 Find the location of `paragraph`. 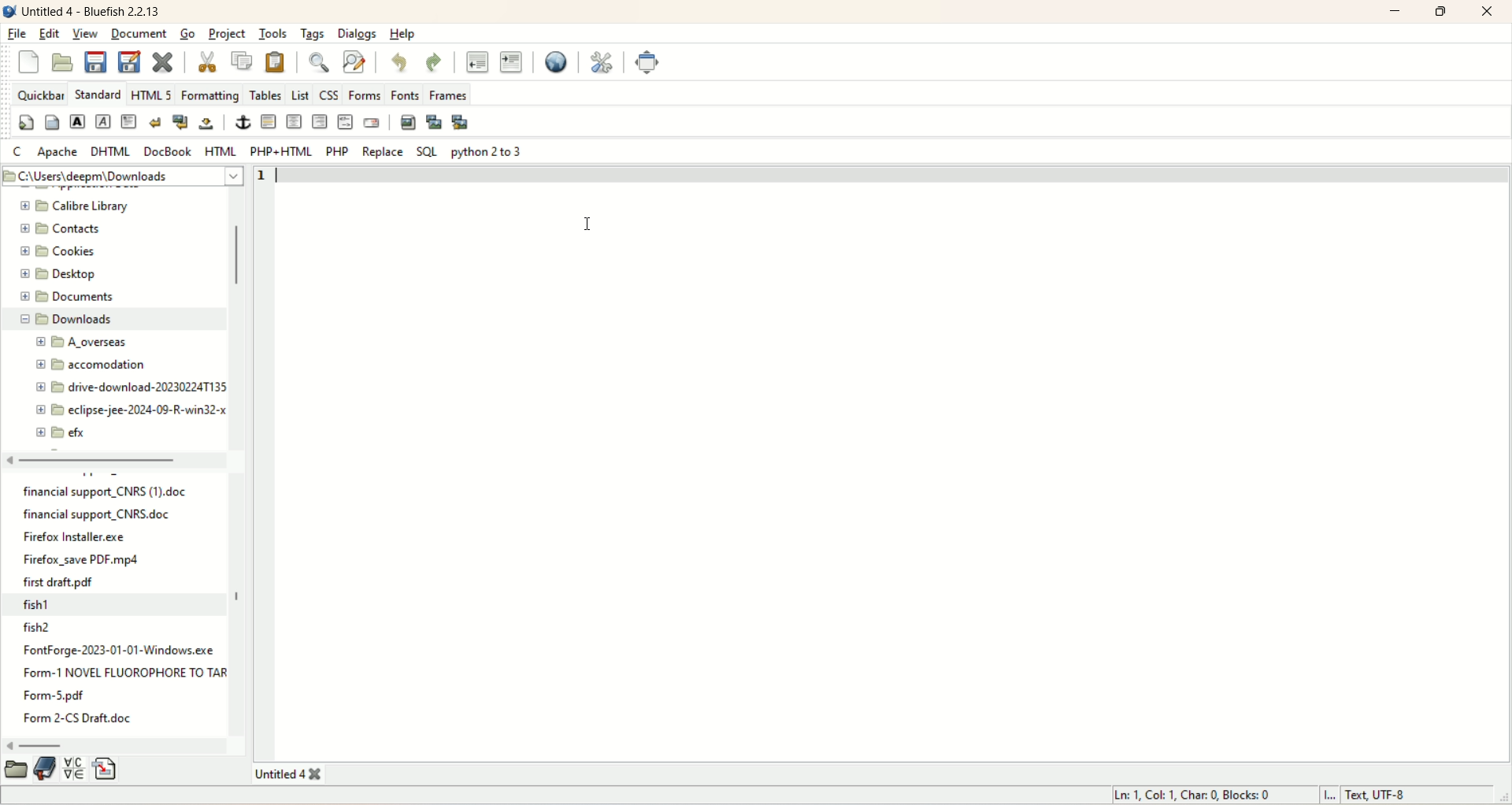

paragraph is located at coordinates (130, 123).